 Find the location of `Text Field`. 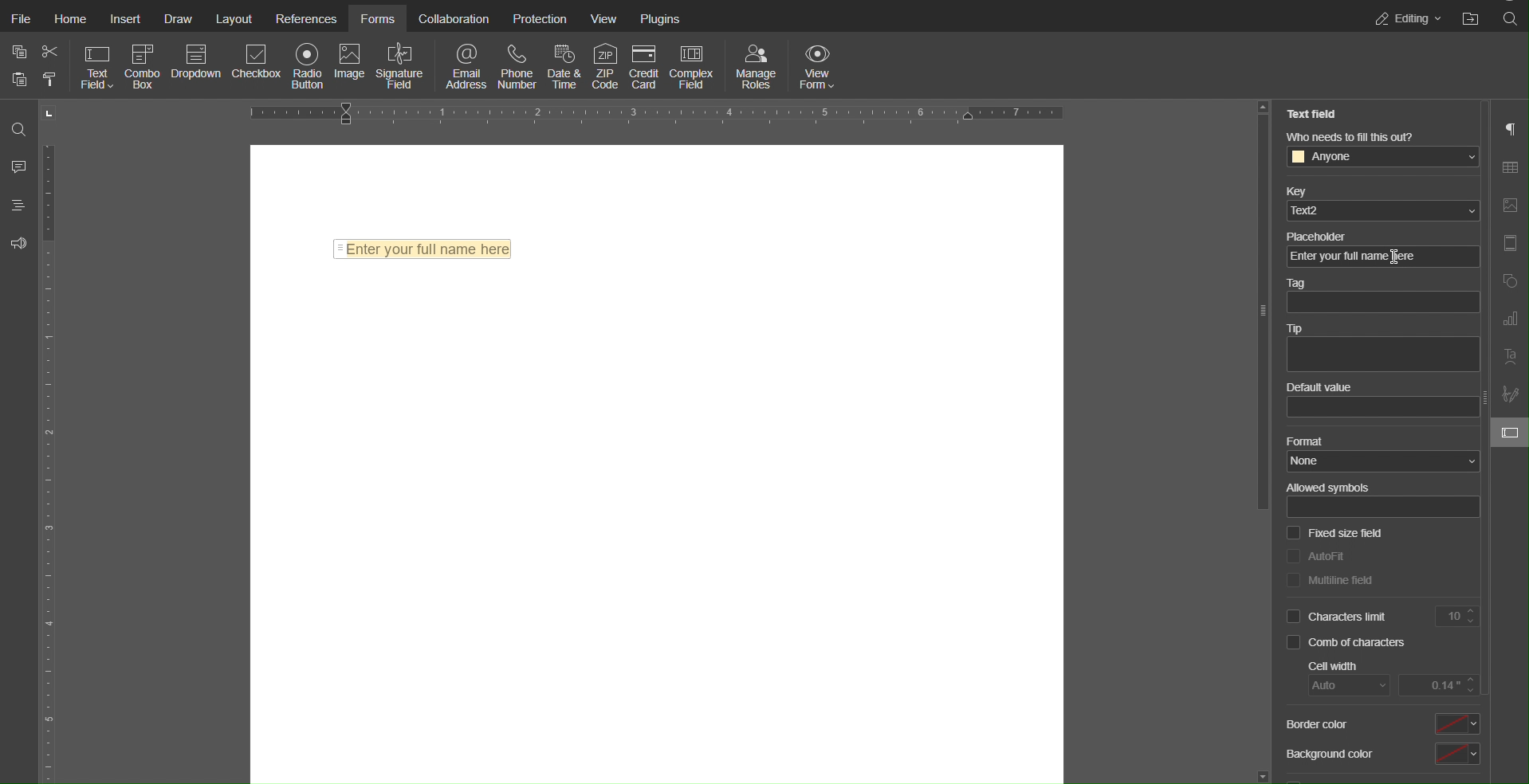

Text Field is located at coordinates (98, 66).